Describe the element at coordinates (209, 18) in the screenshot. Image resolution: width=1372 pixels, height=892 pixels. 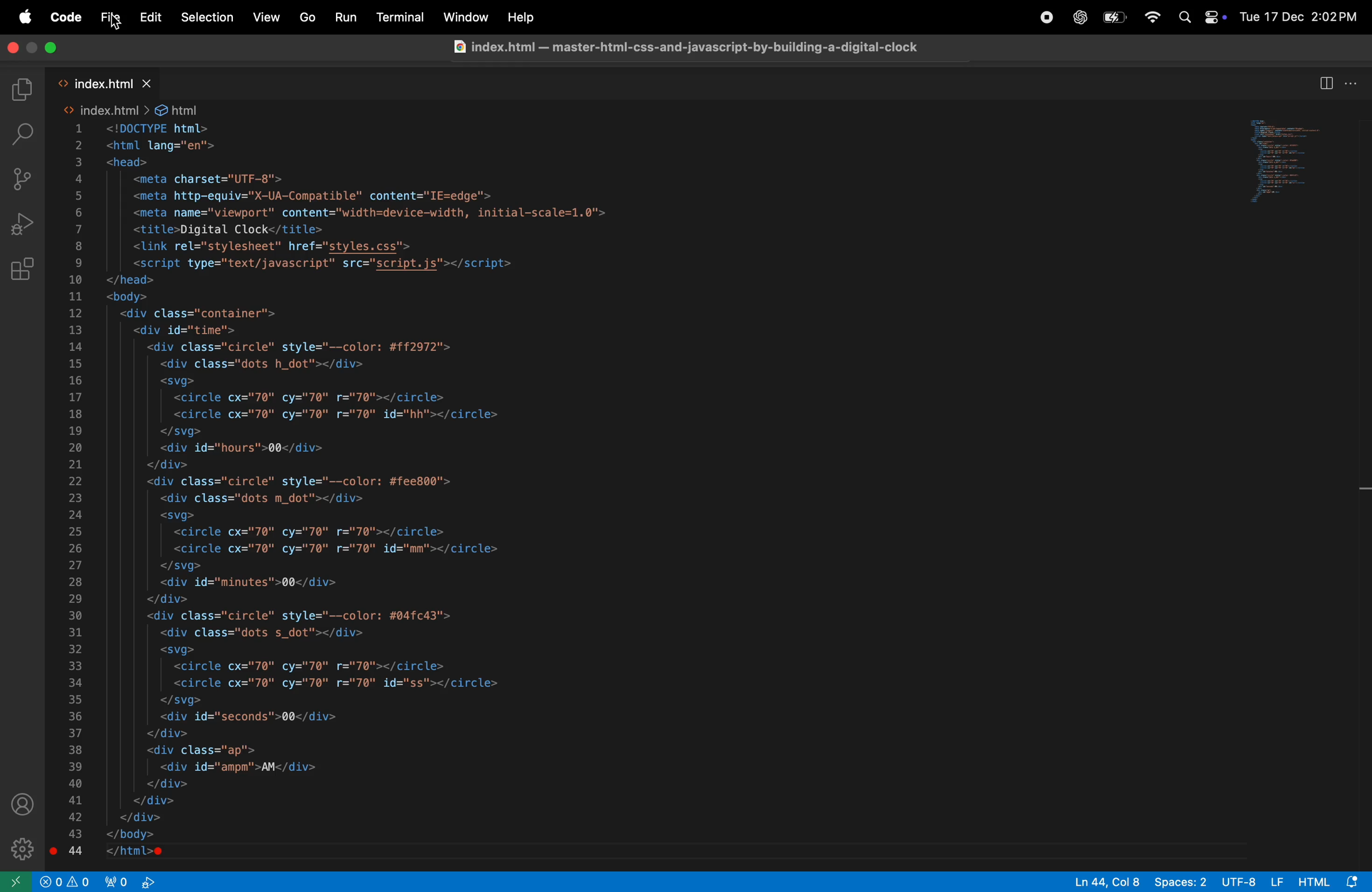
I see `selections` at that location.